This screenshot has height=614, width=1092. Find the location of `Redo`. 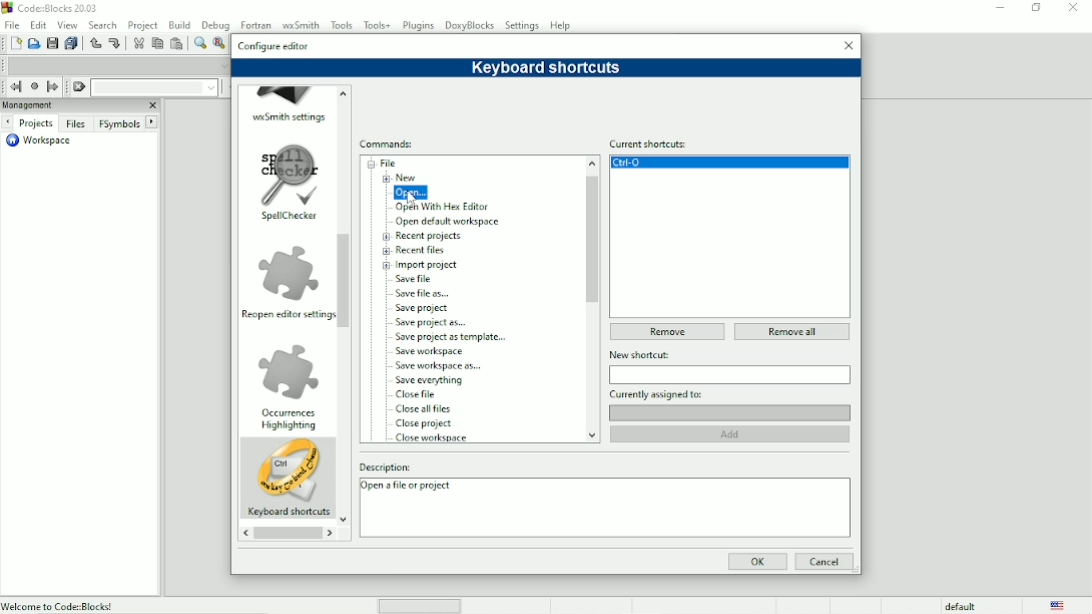

Redo is located at coordinates (117, 44).